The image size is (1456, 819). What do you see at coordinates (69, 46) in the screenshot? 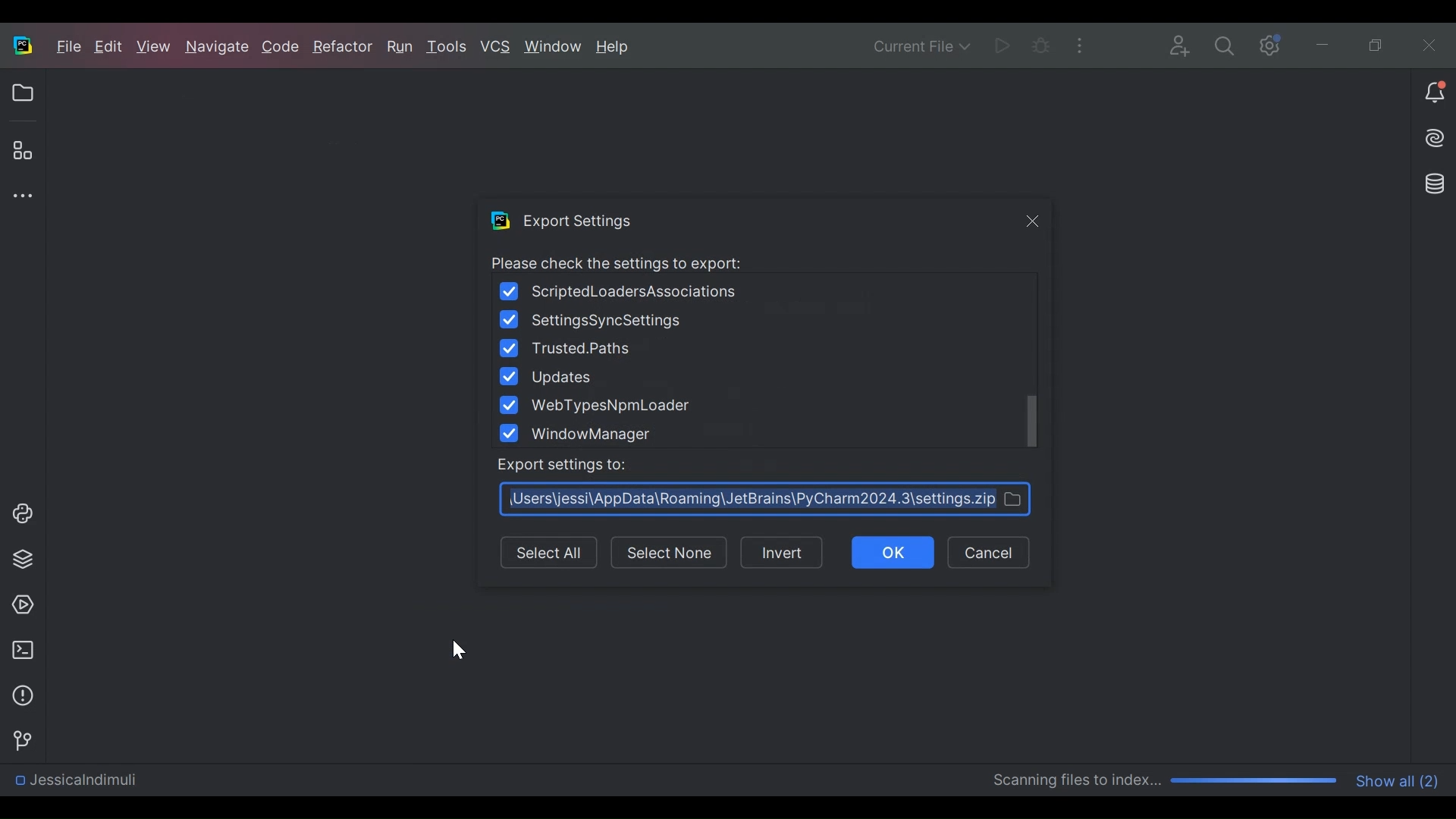
I see `File` at bounding box center [69, 46].